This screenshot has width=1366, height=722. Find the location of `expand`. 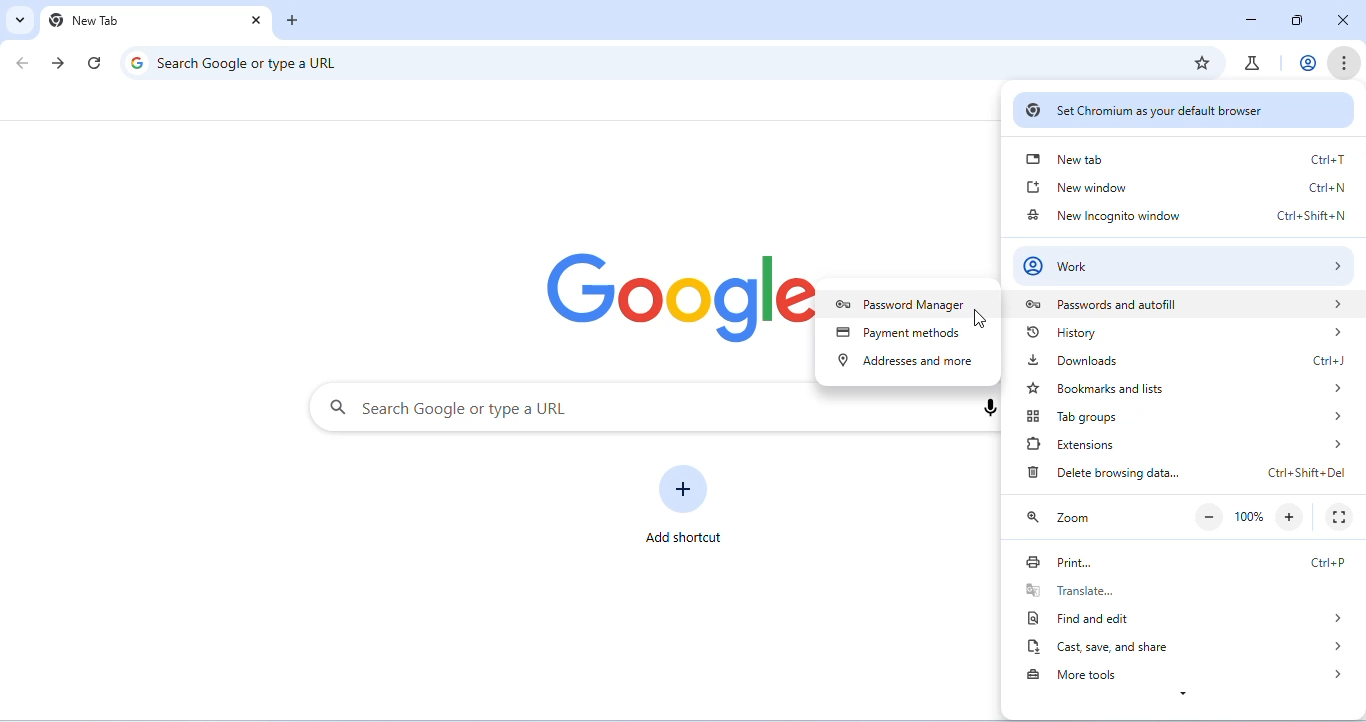

expand is located at coordinates (1187, 697).